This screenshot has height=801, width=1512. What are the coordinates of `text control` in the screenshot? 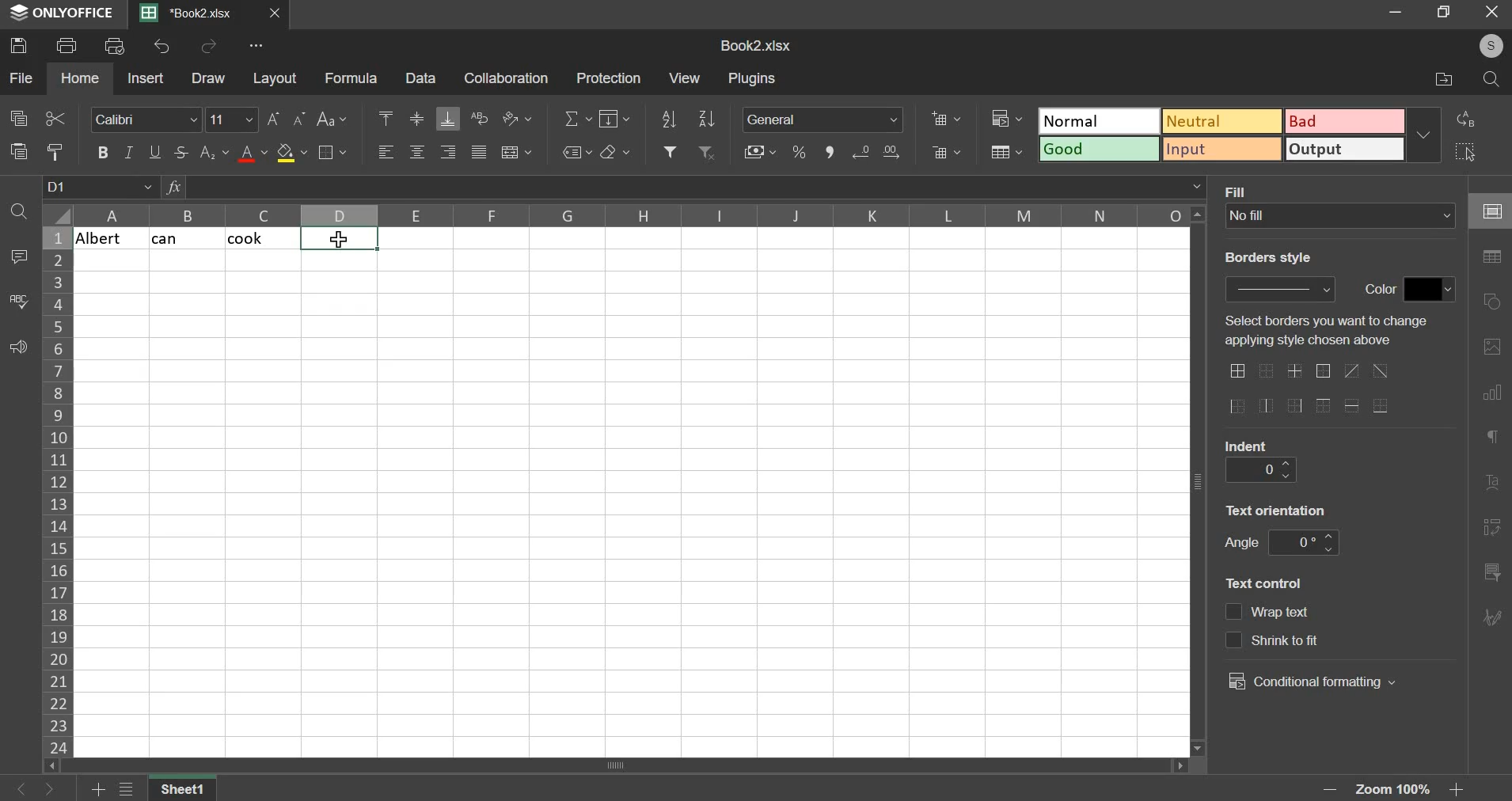 It's located at (1233, 626).